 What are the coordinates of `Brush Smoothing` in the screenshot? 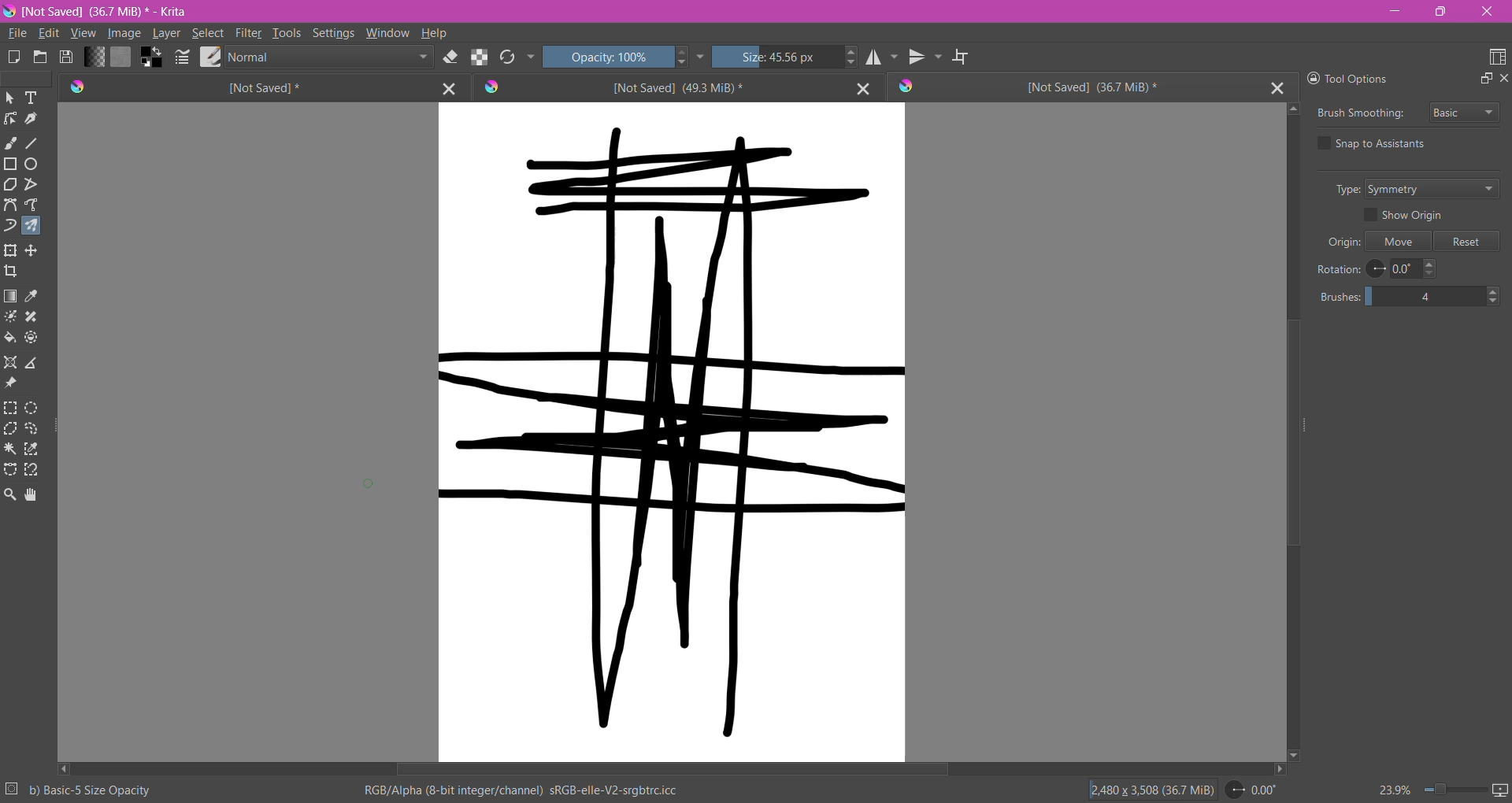 It's located at (1358, 115).